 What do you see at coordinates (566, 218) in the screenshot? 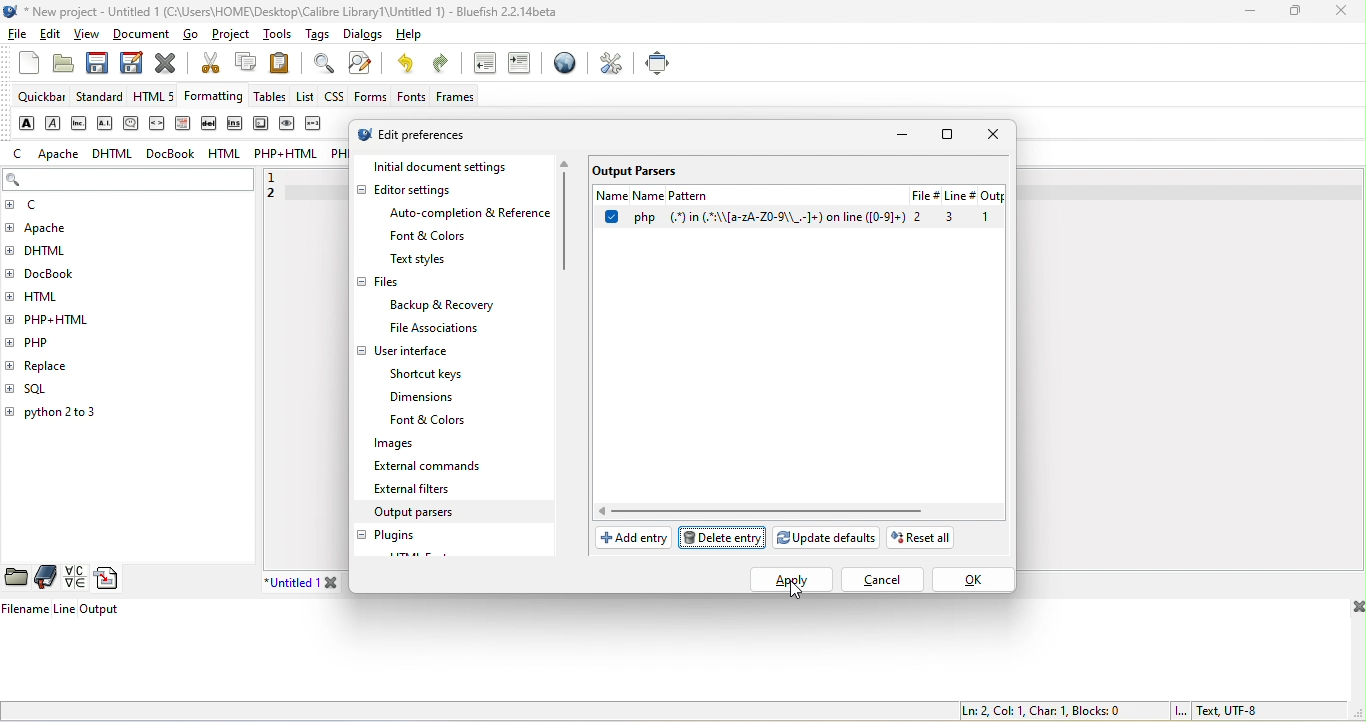
I see `vertical scroll bar` at bounding box center [566, 218].